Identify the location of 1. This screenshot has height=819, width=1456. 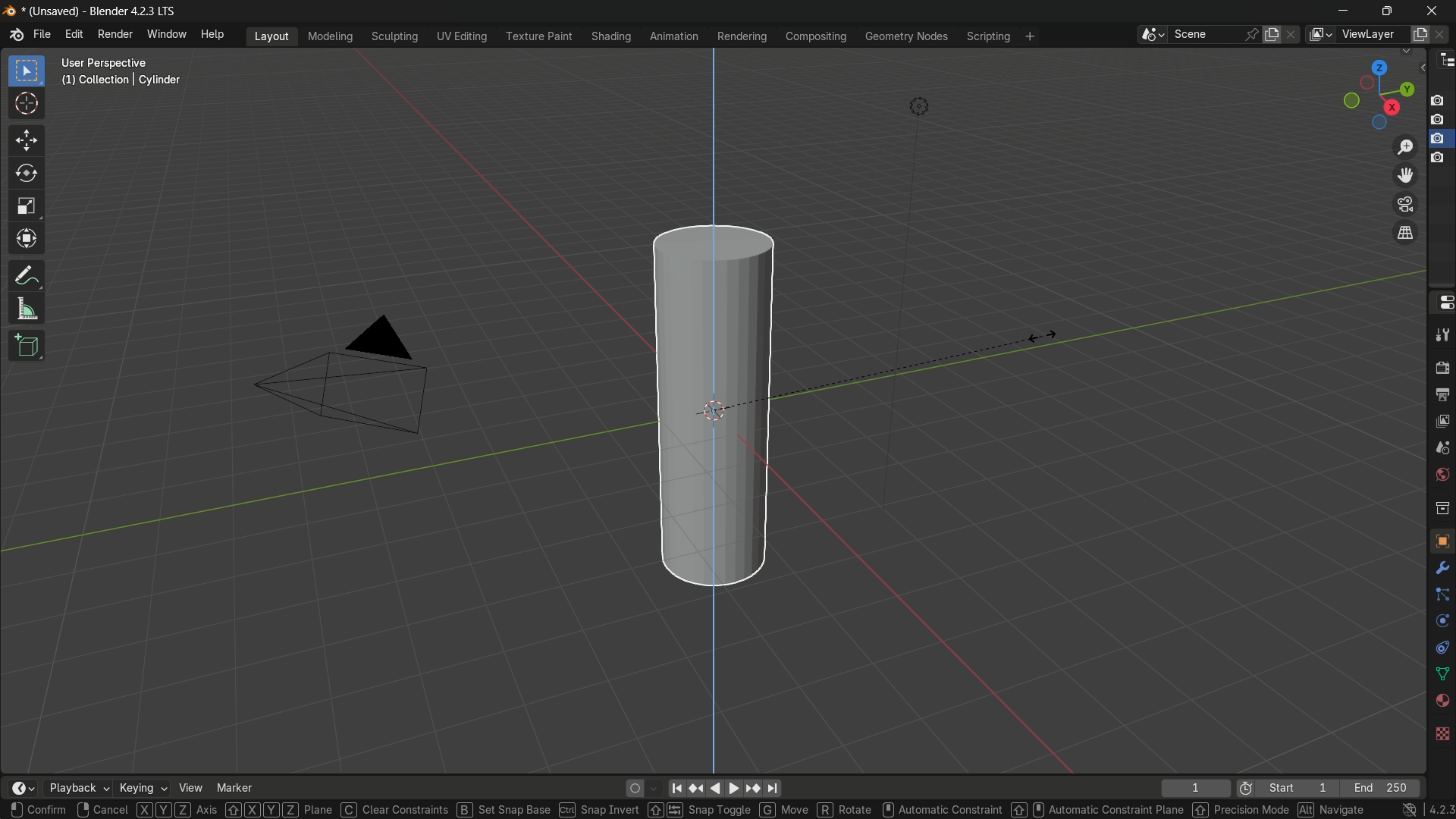
(1194, 789).